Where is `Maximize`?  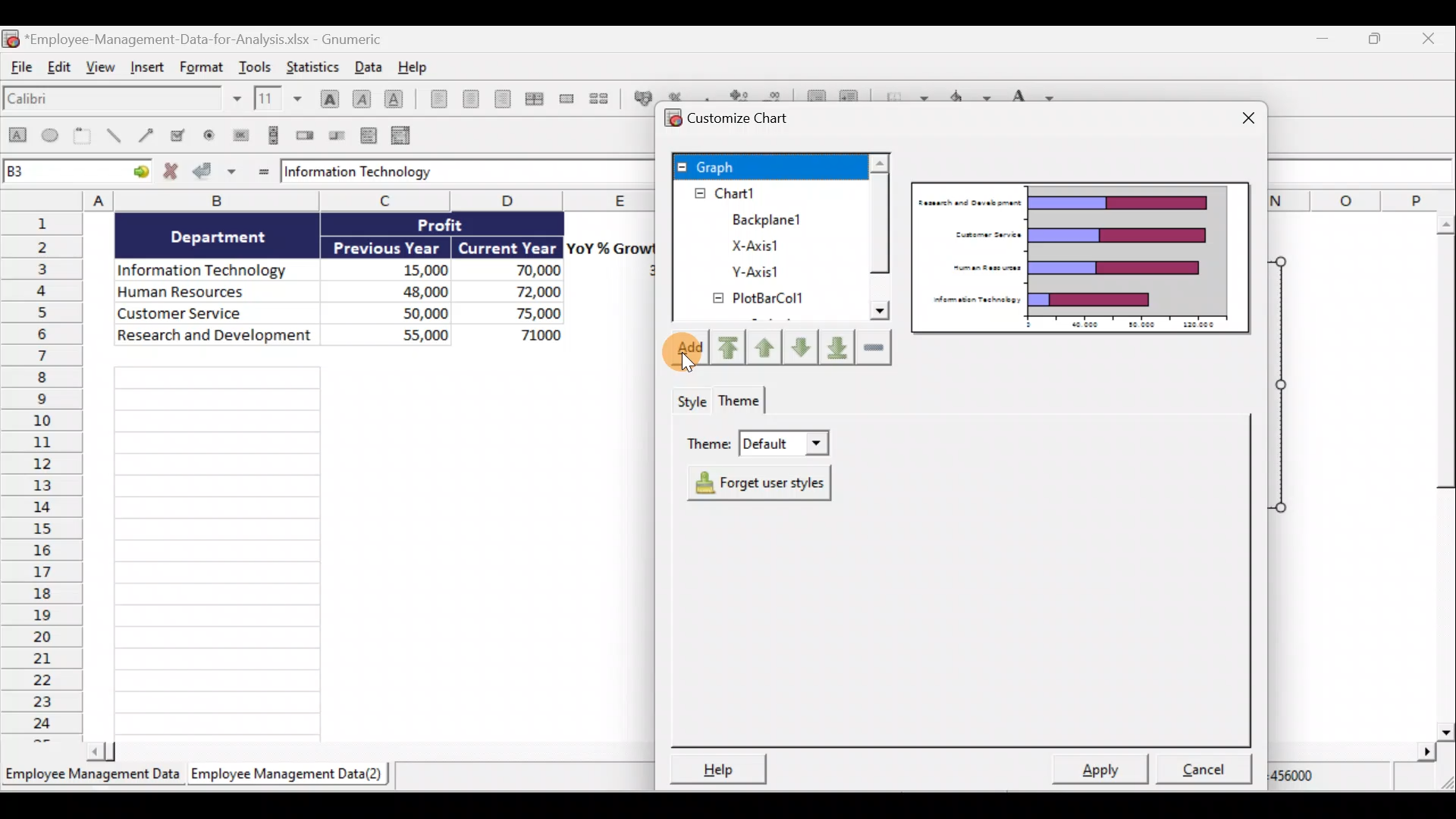 Maximize is located at coordinates (1379, 39).